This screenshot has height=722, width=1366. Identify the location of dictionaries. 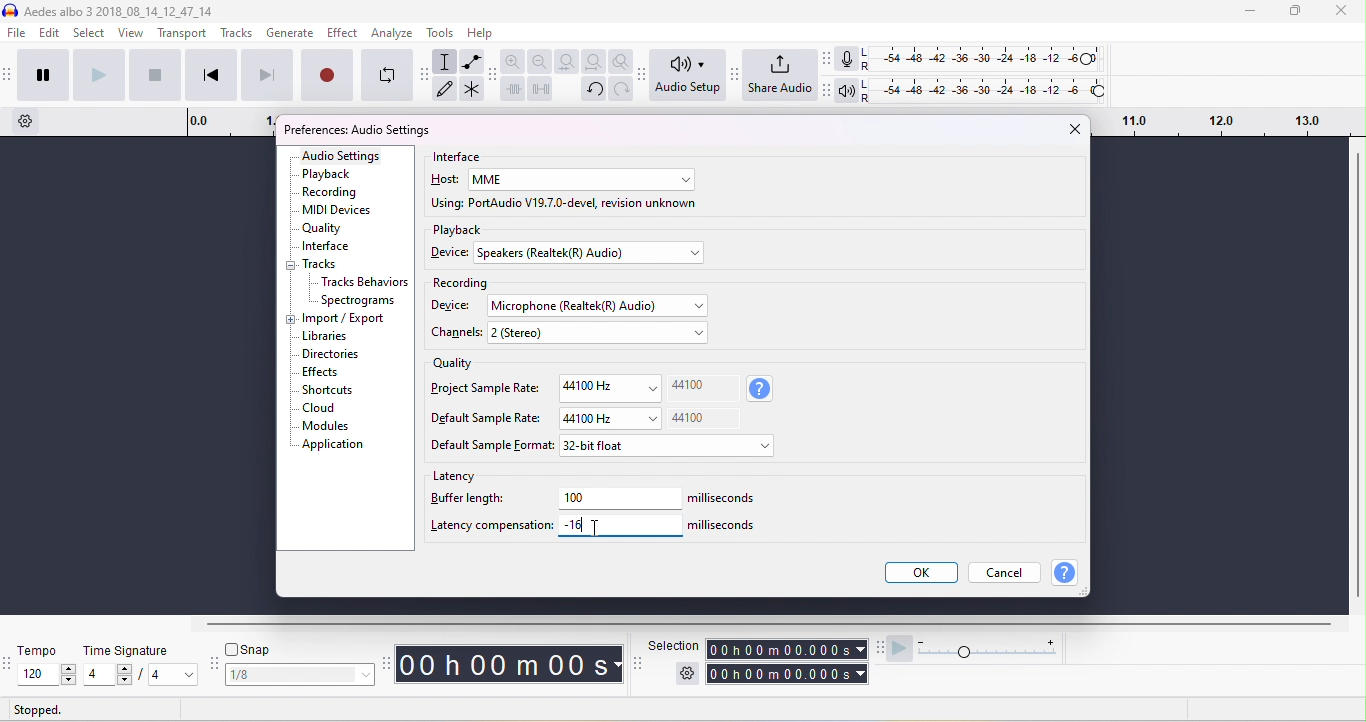
(331, 355).